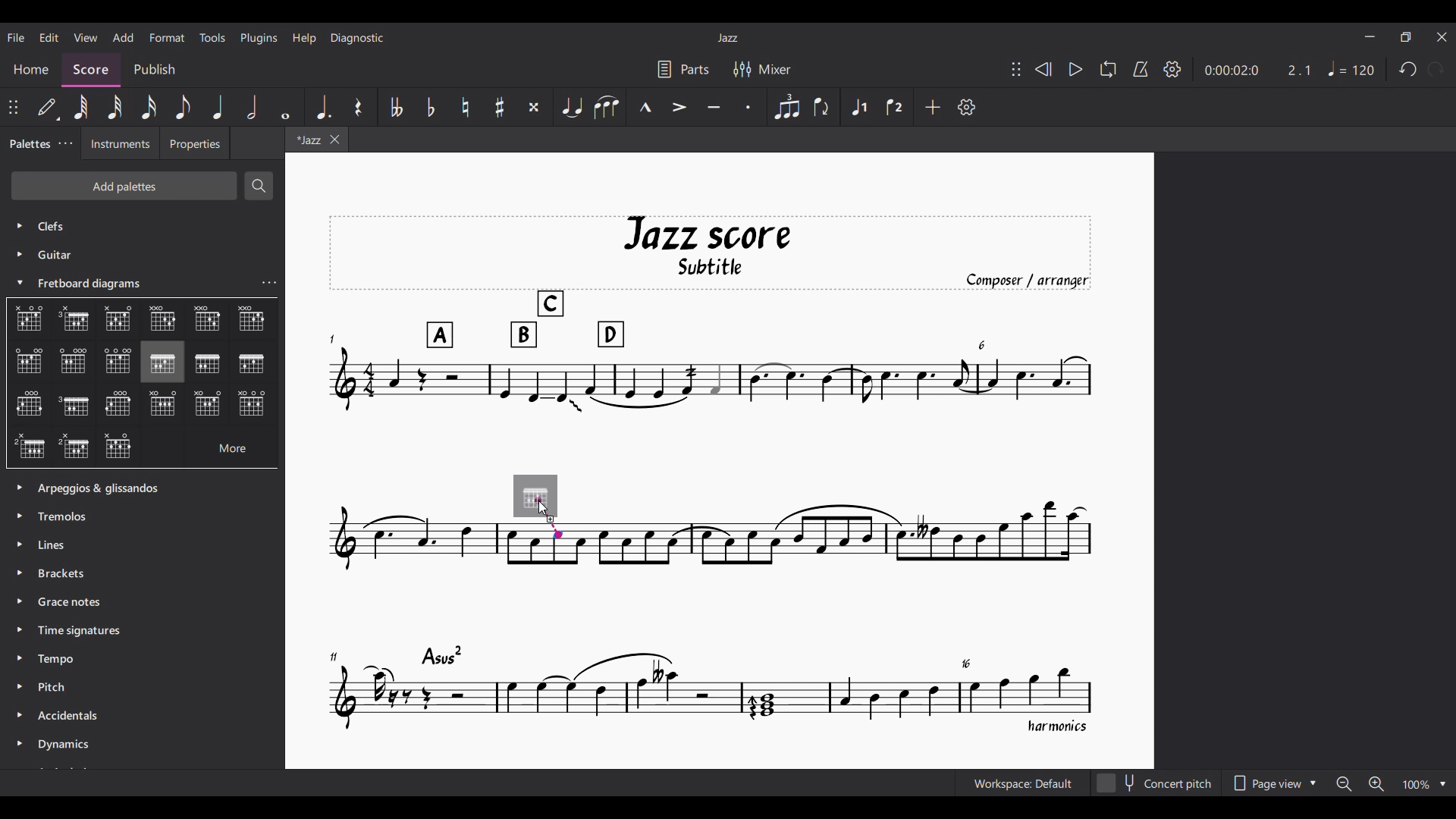  Describe the element at coordinates (606, 108) in the screenshot. I see `Slur` at that location.